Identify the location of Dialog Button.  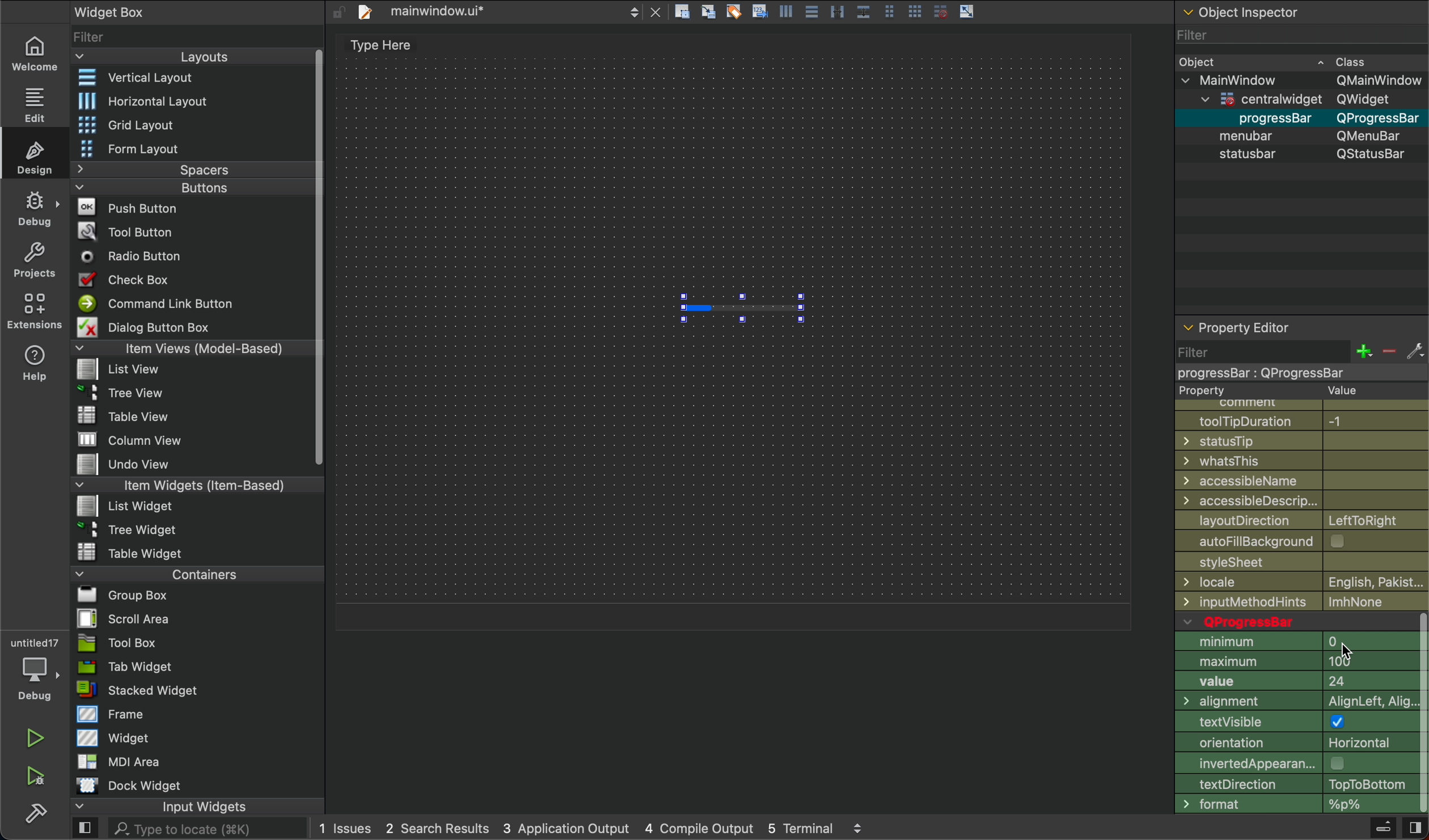
(157, 326).